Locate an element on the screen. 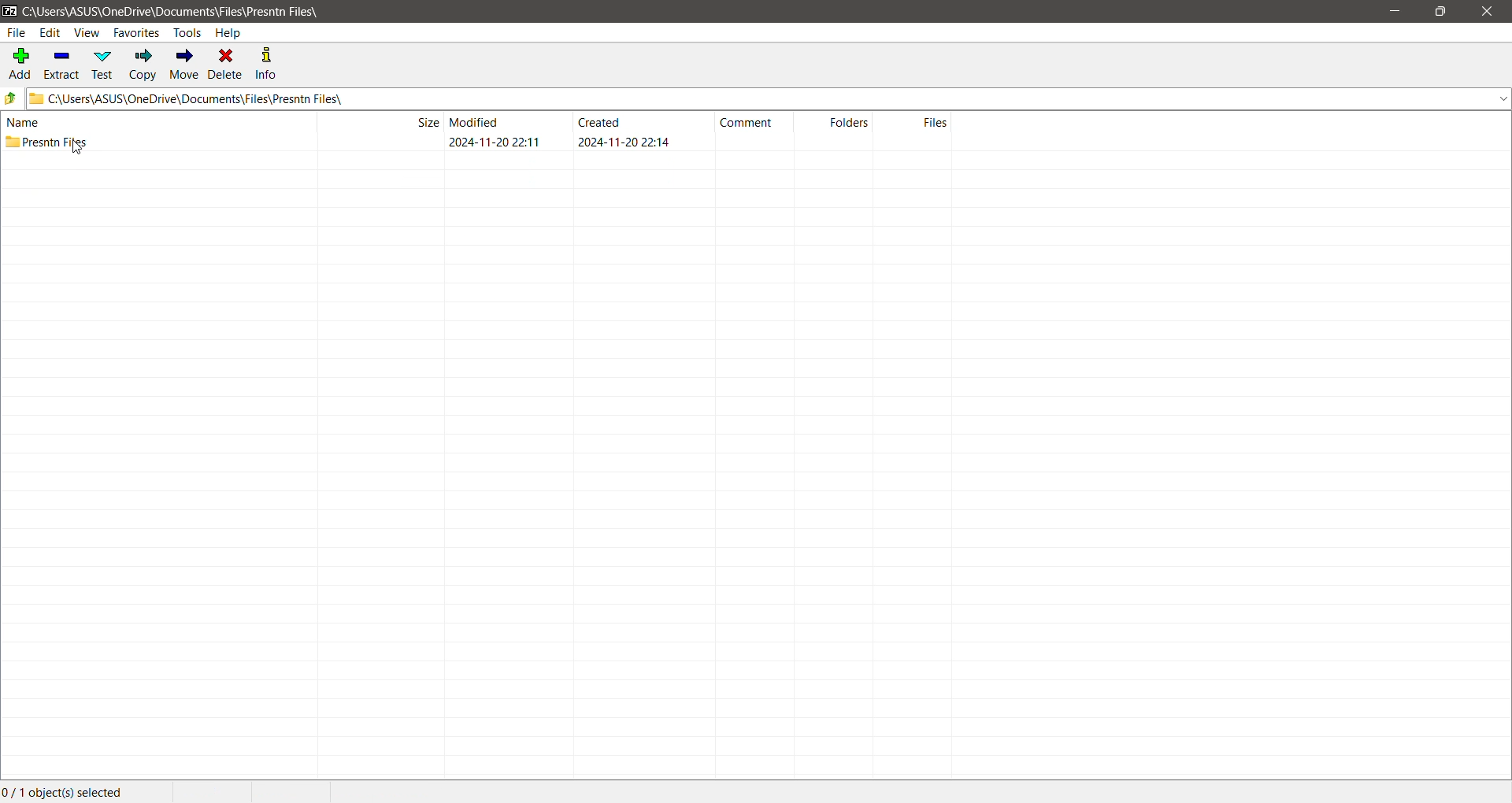  cursor is located at coordinates (77, 147).